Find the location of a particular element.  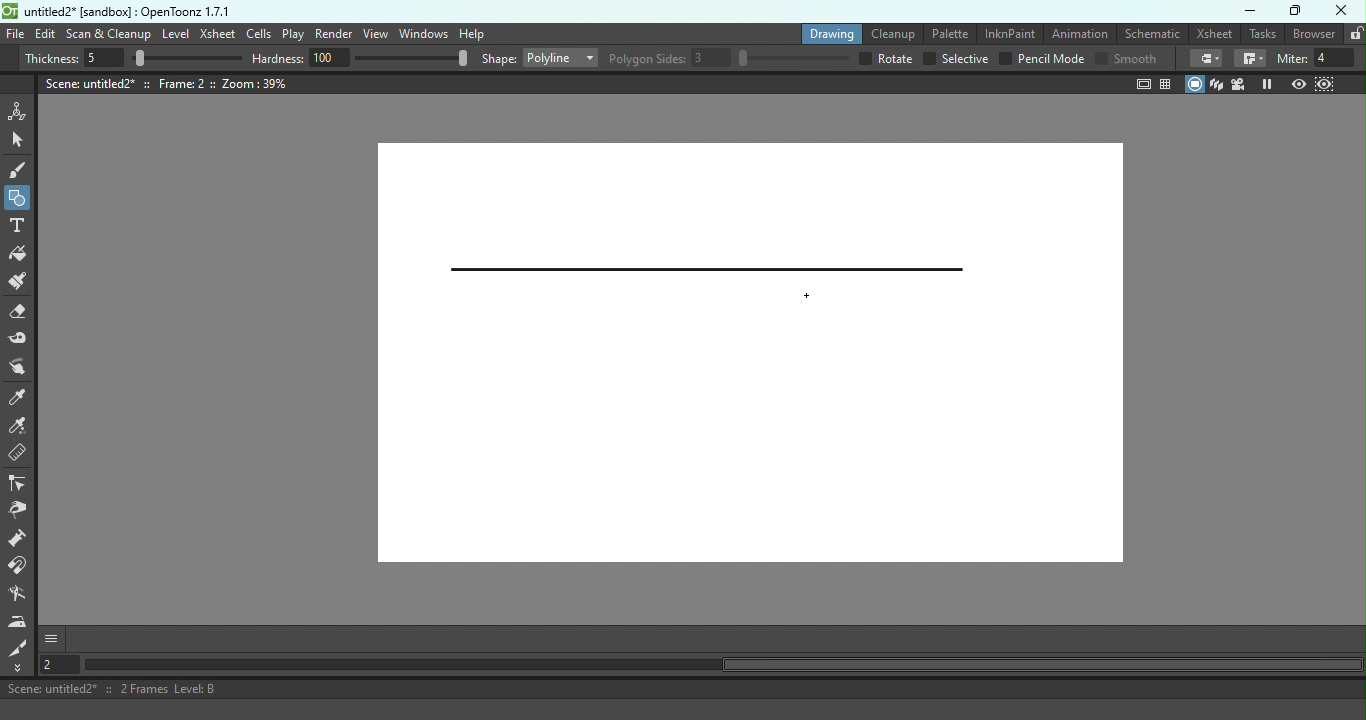

Fill tool is located at coordinates (22, 254).